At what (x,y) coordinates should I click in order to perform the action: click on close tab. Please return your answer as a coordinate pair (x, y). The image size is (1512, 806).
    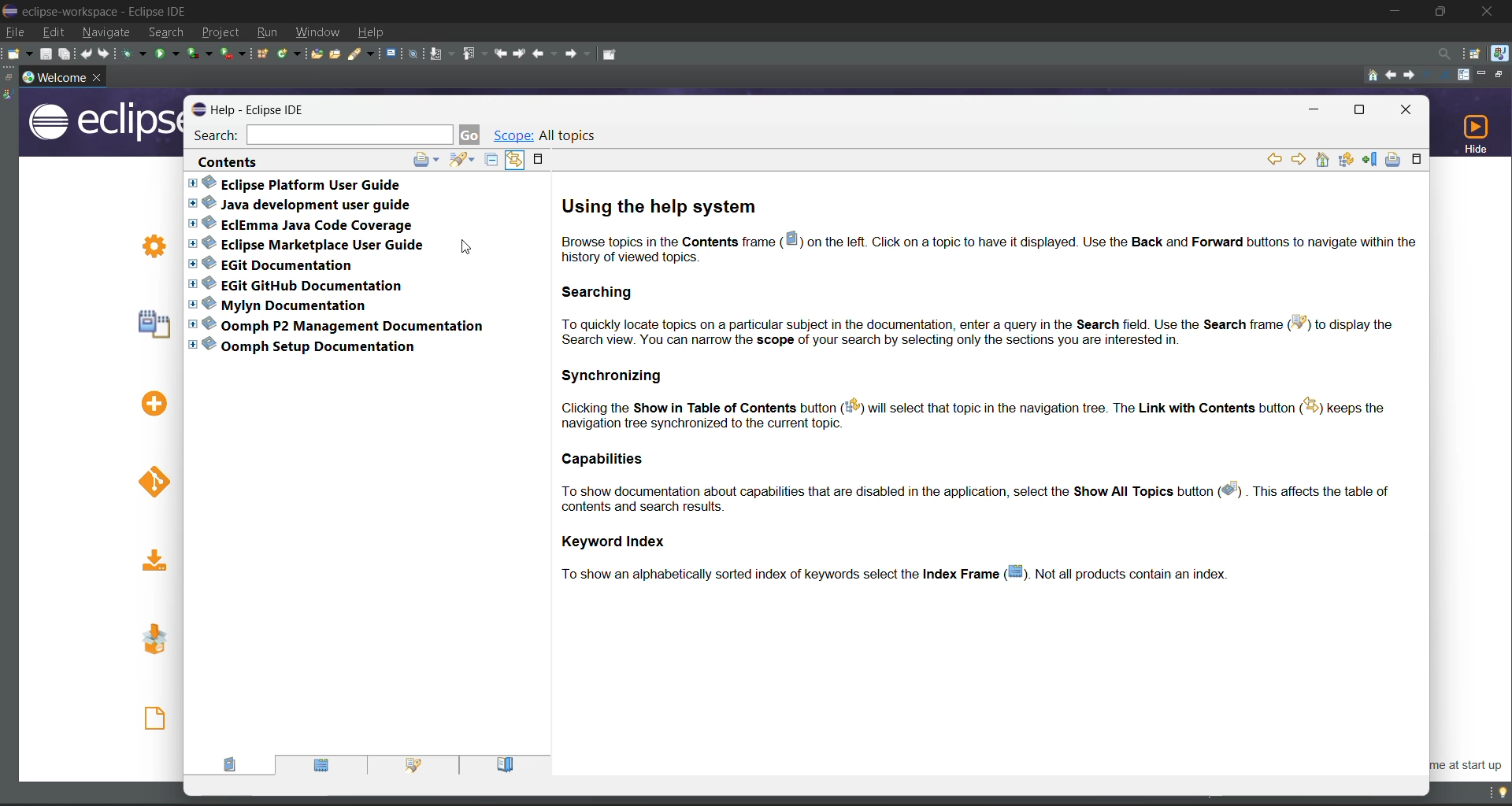
    Looking at the image, I should click on (1407, 112).